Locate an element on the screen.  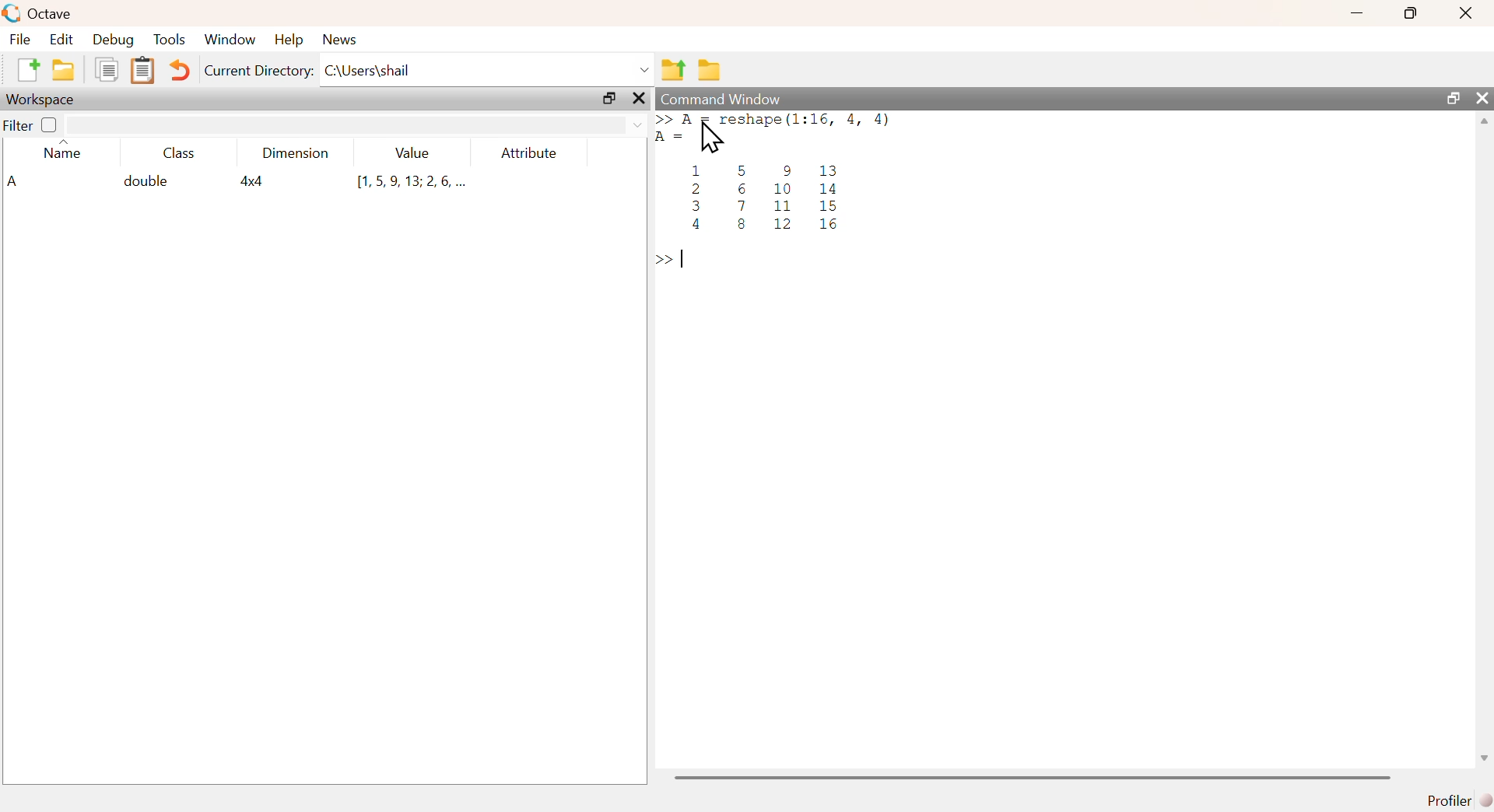
scrollbar is located at coordinates (1033, 777).